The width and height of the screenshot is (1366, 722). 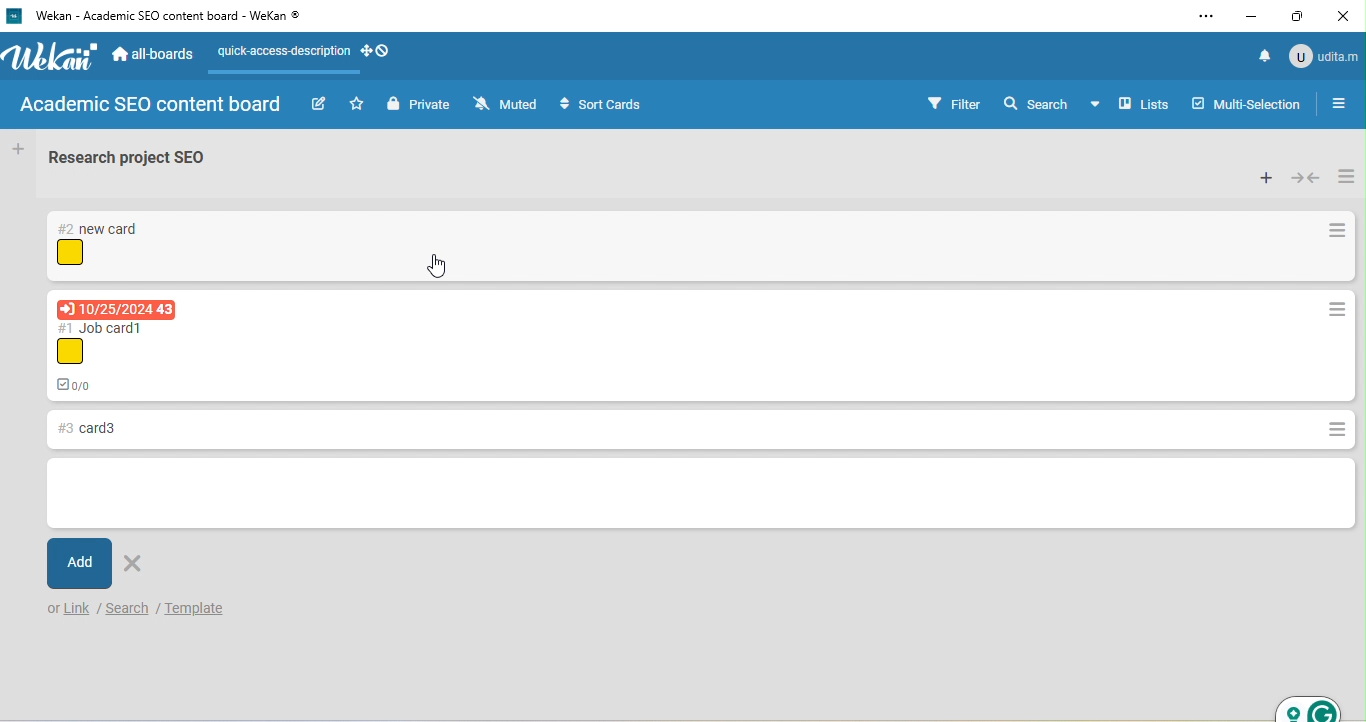 What do you see at coordinates (69, 352) in the screenshot?
I see `icon` at bounding box center [69, 352].